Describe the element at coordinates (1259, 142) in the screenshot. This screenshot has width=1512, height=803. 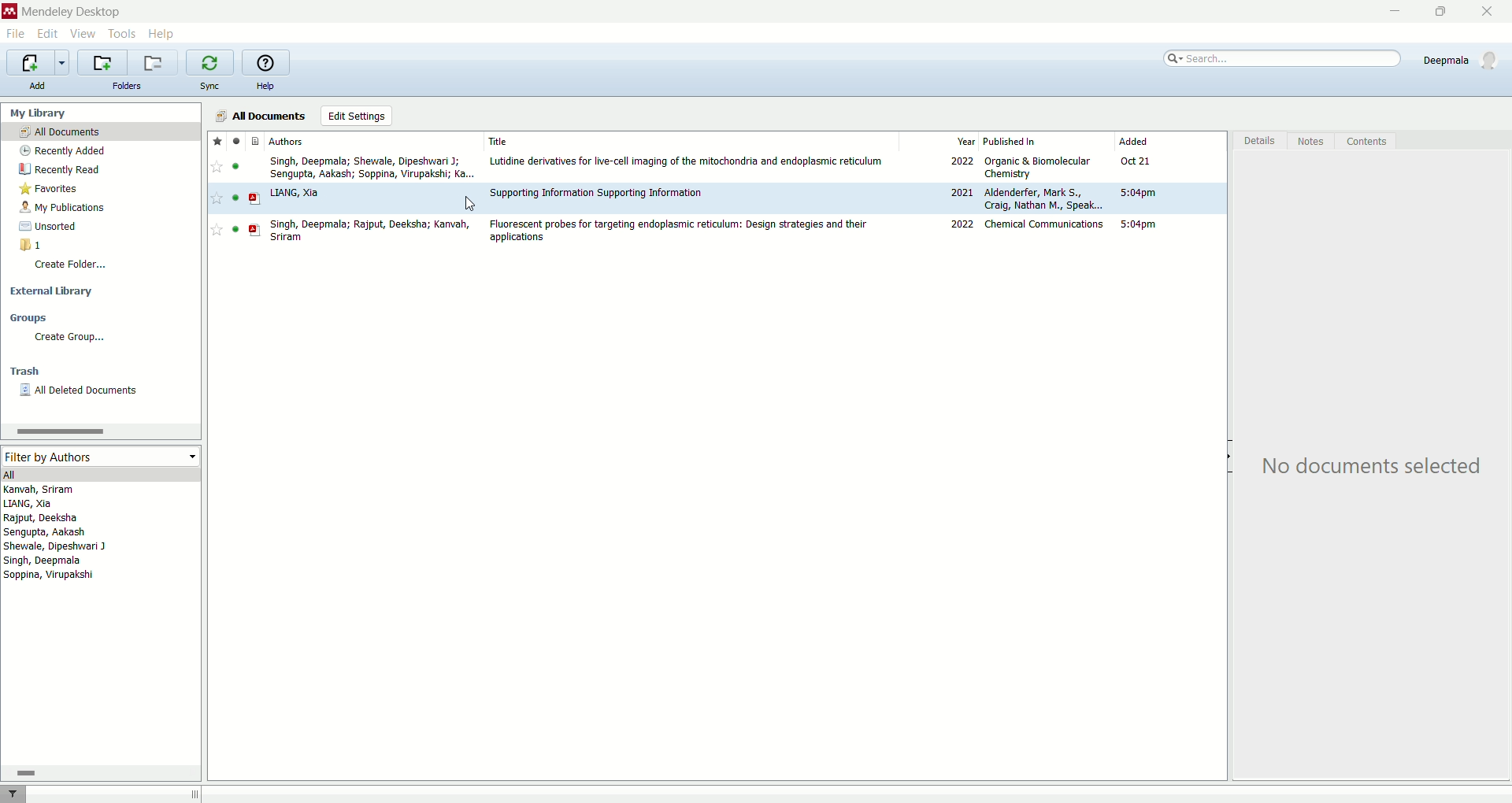
I see `details` at that location.